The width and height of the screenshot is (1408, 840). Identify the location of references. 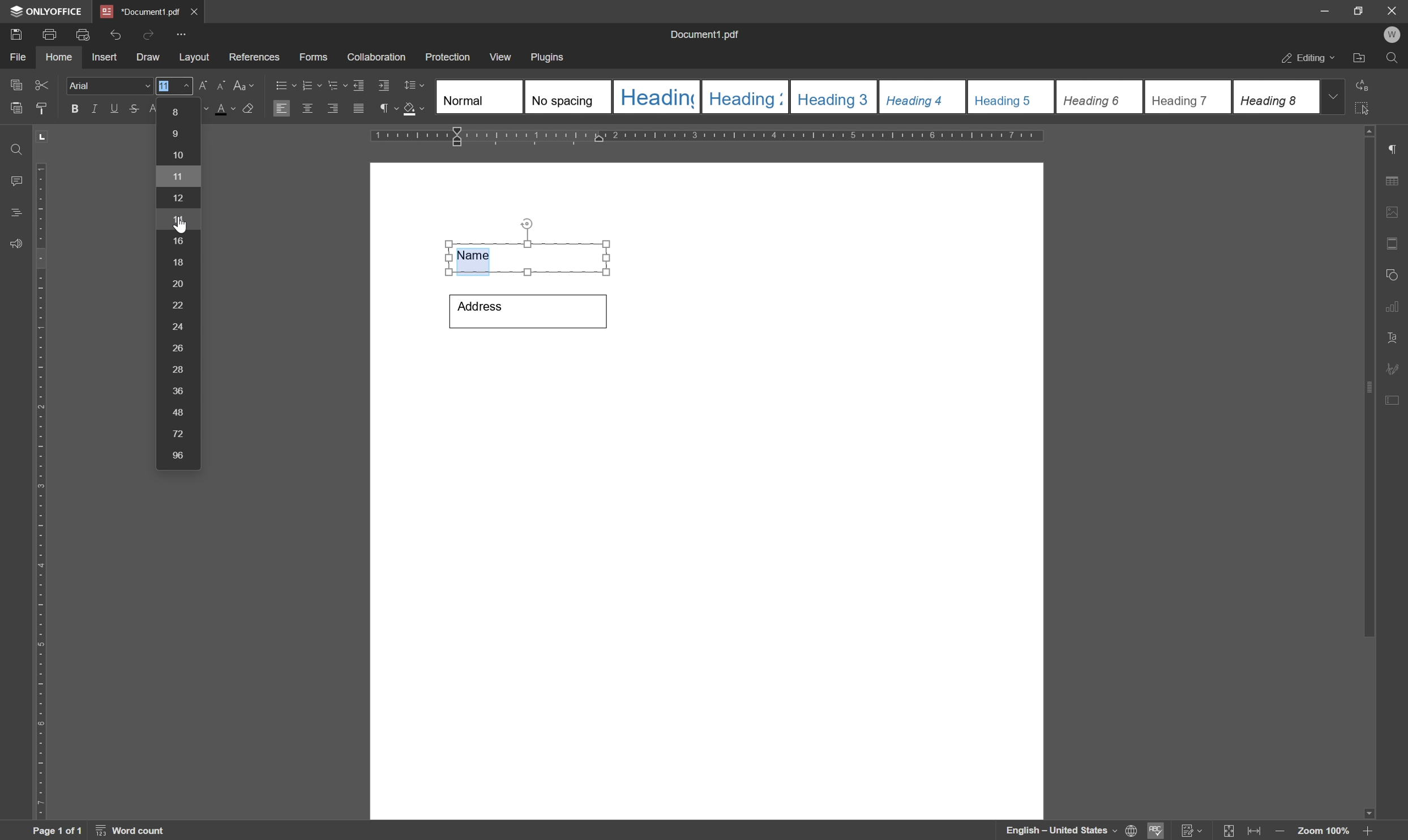
(254, 57).